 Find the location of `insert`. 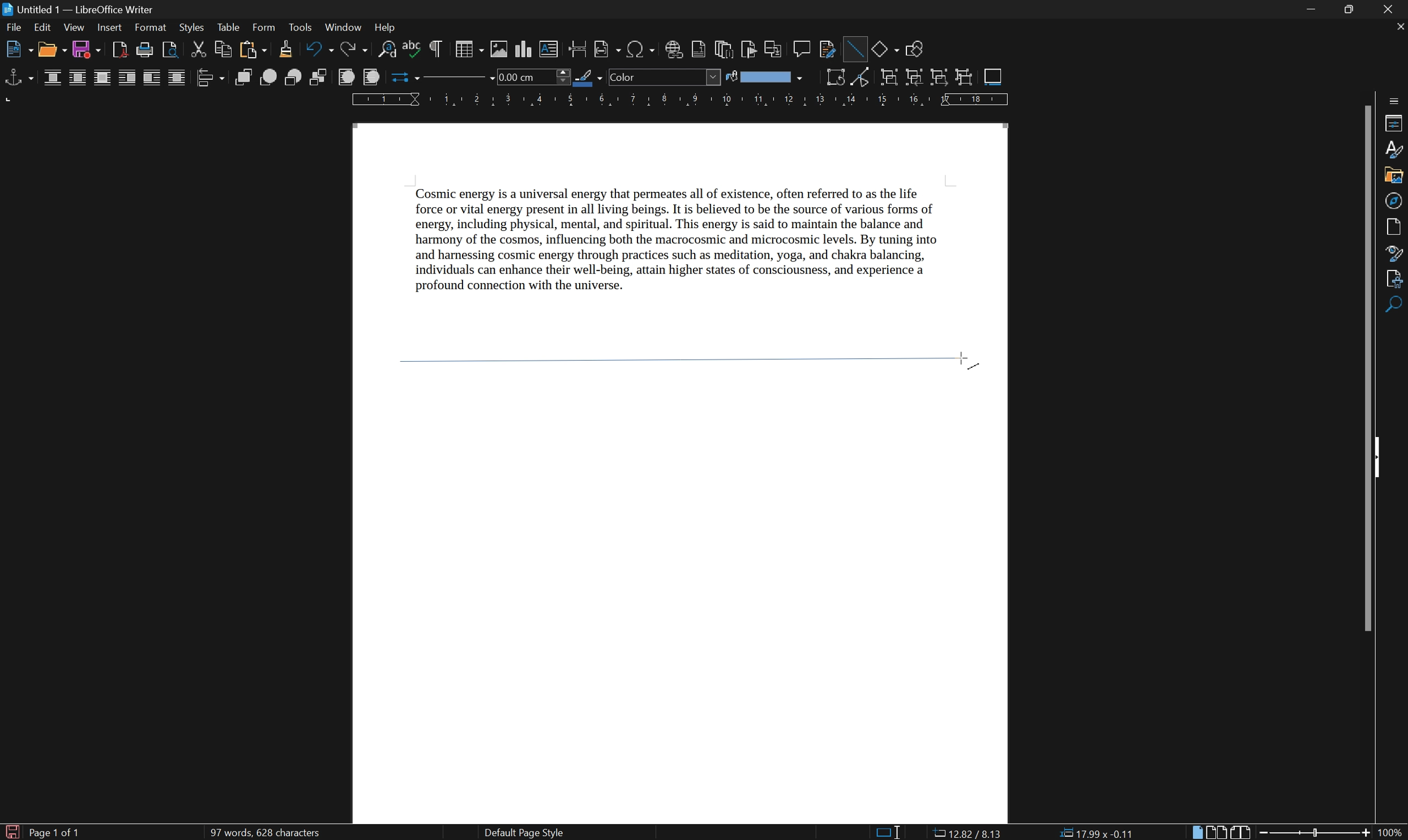

insert is located at coordinates (109, 28).